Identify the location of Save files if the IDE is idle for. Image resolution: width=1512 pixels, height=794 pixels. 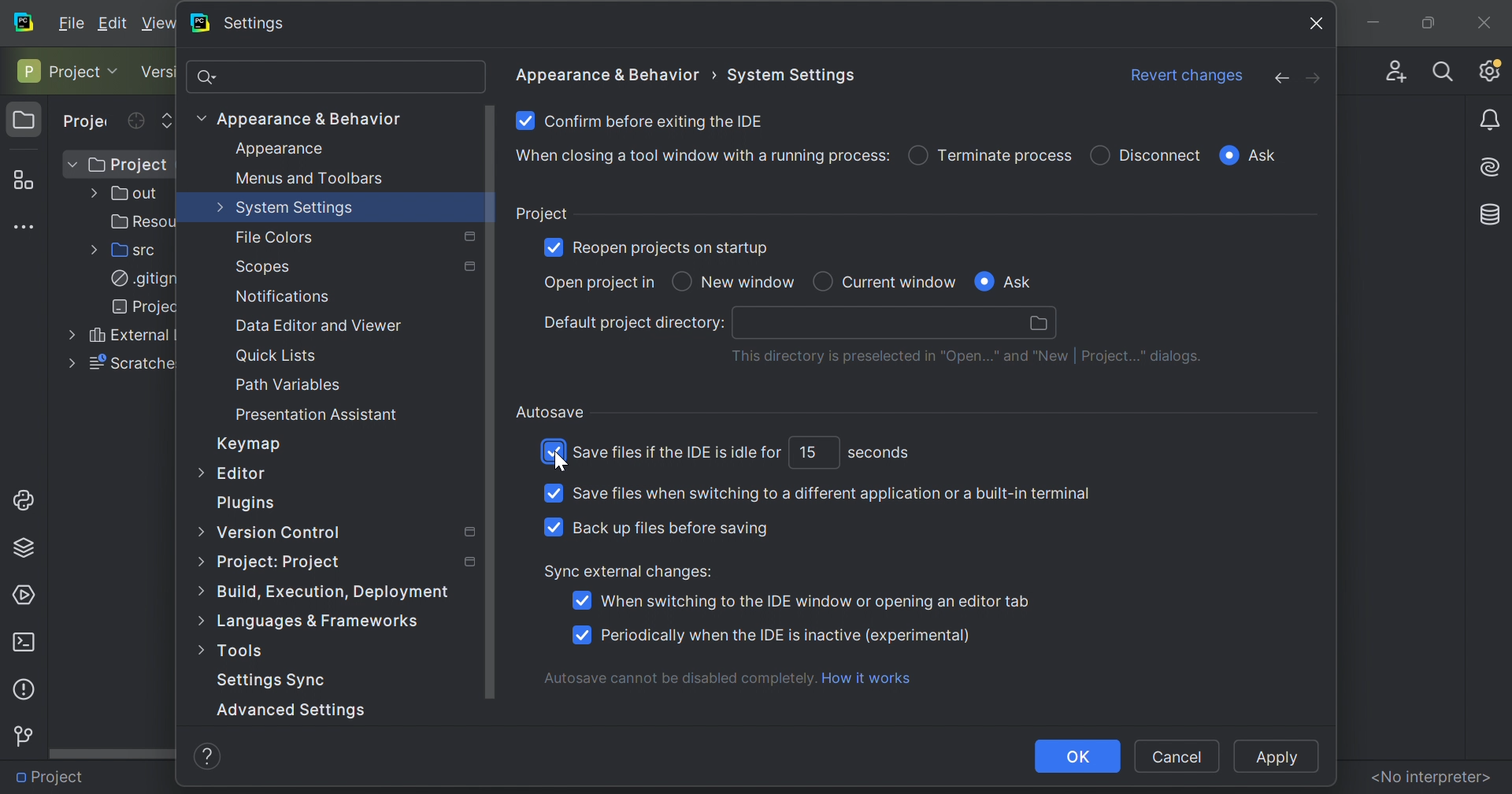
(679, 453).